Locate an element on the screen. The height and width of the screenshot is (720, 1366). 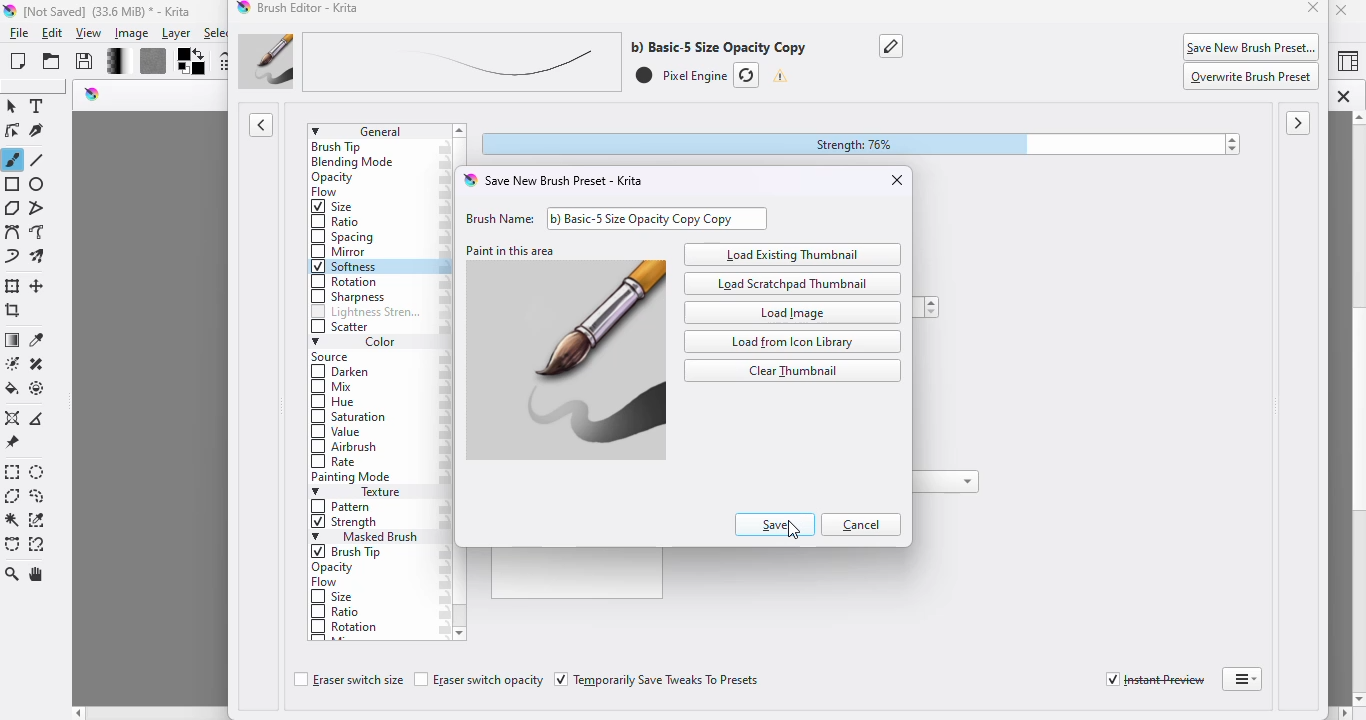
file is located at coordinates (19, 34).